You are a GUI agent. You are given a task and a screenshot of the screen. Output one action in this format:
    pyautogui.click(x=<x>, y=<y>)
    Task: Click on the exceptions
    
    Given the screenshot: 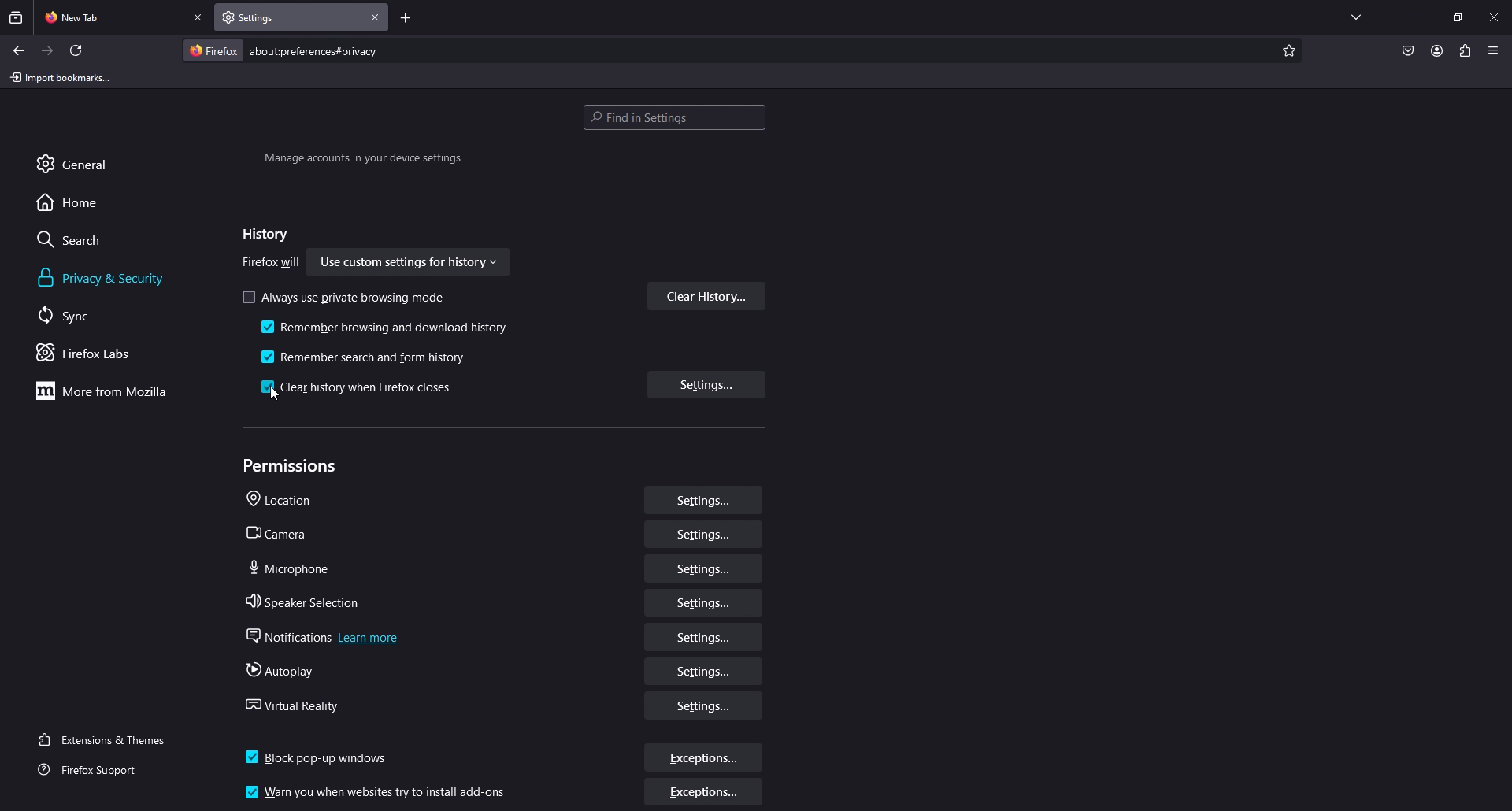 What is the action you would take?
    pyautogui.click(x=705, y=794)
    